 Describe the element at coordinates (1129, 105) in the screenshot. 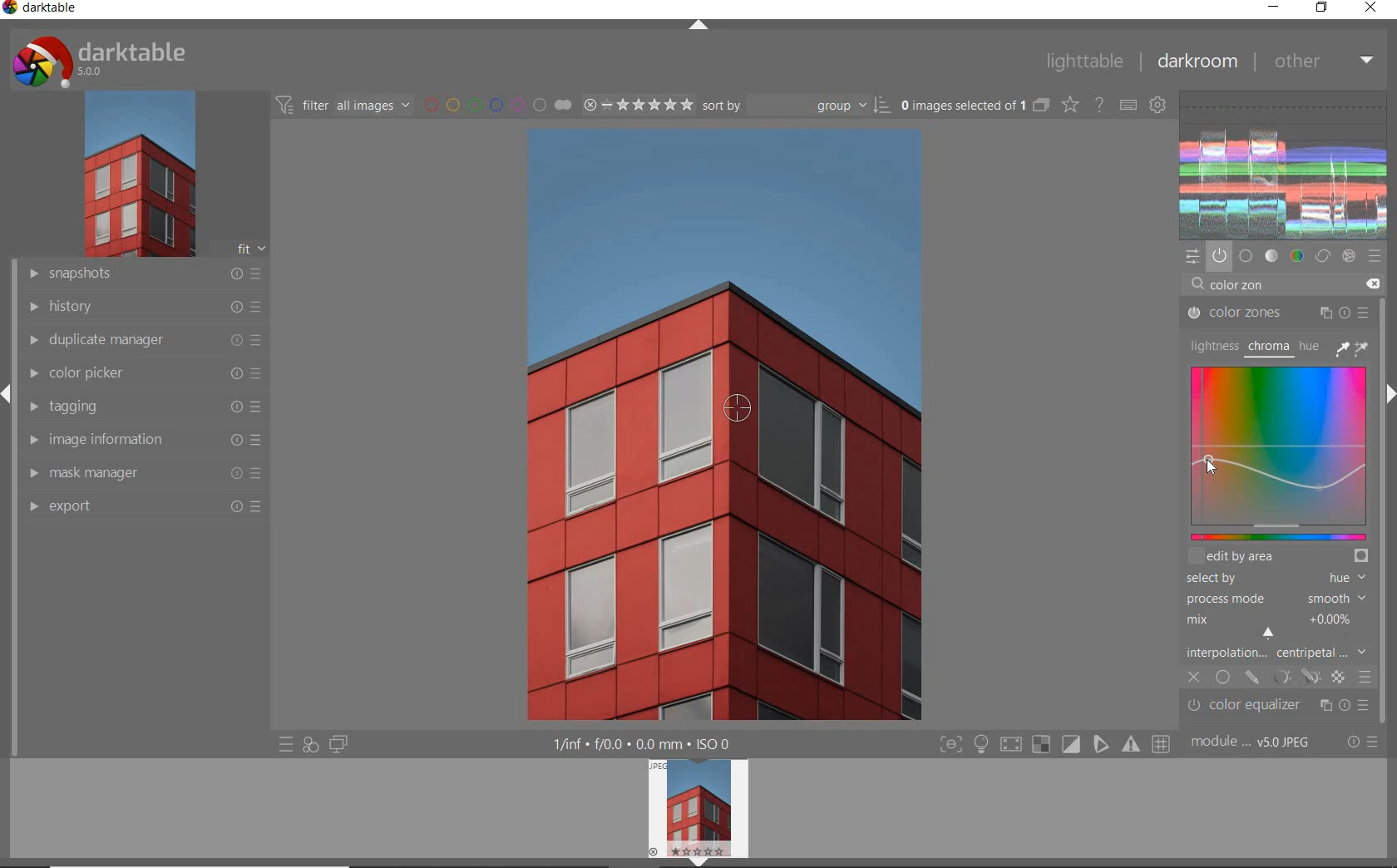

I see `define keyboard shortcuts` at that location.